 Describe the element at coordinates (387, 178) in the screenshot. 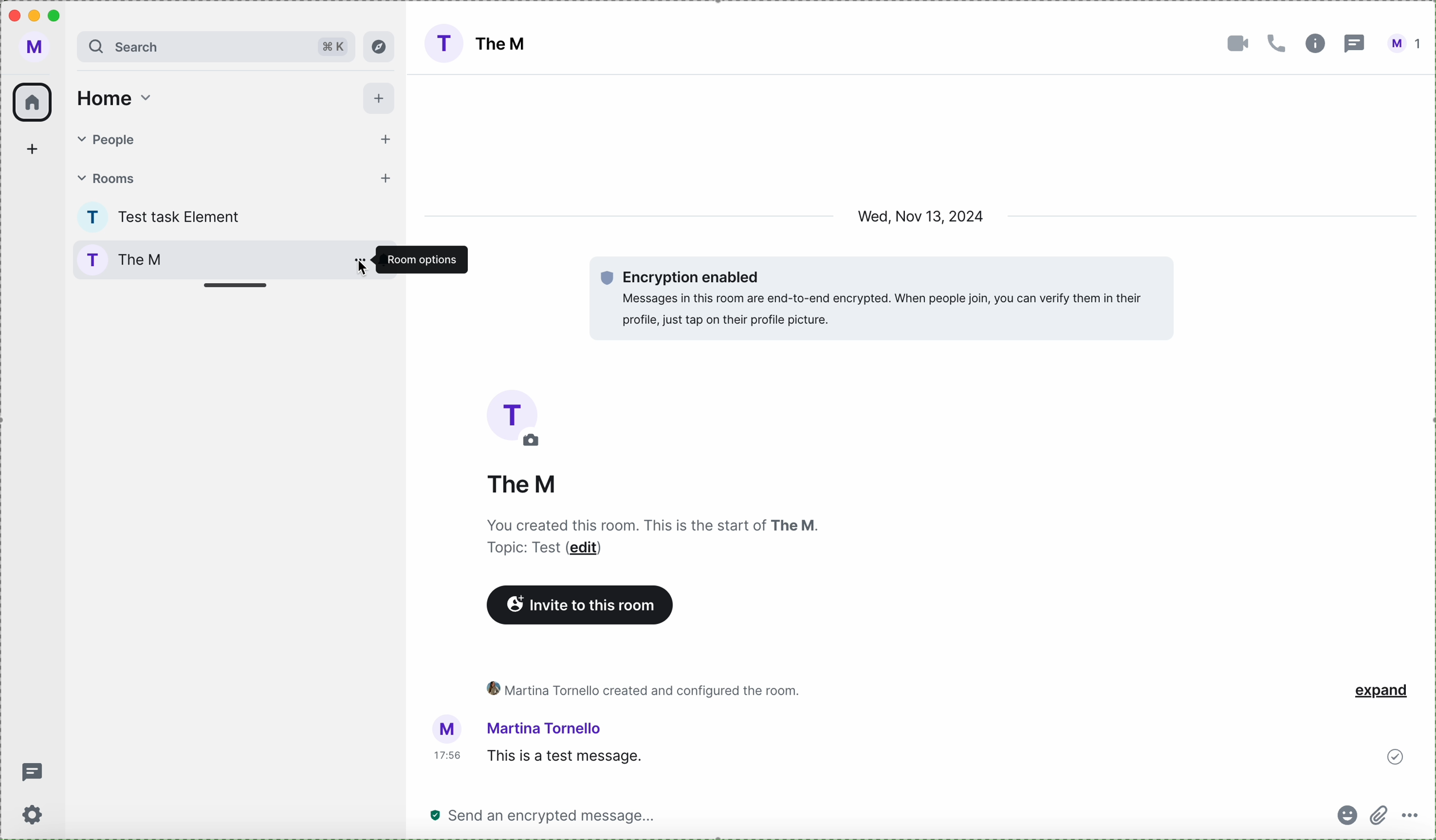

I see `add` at that location.